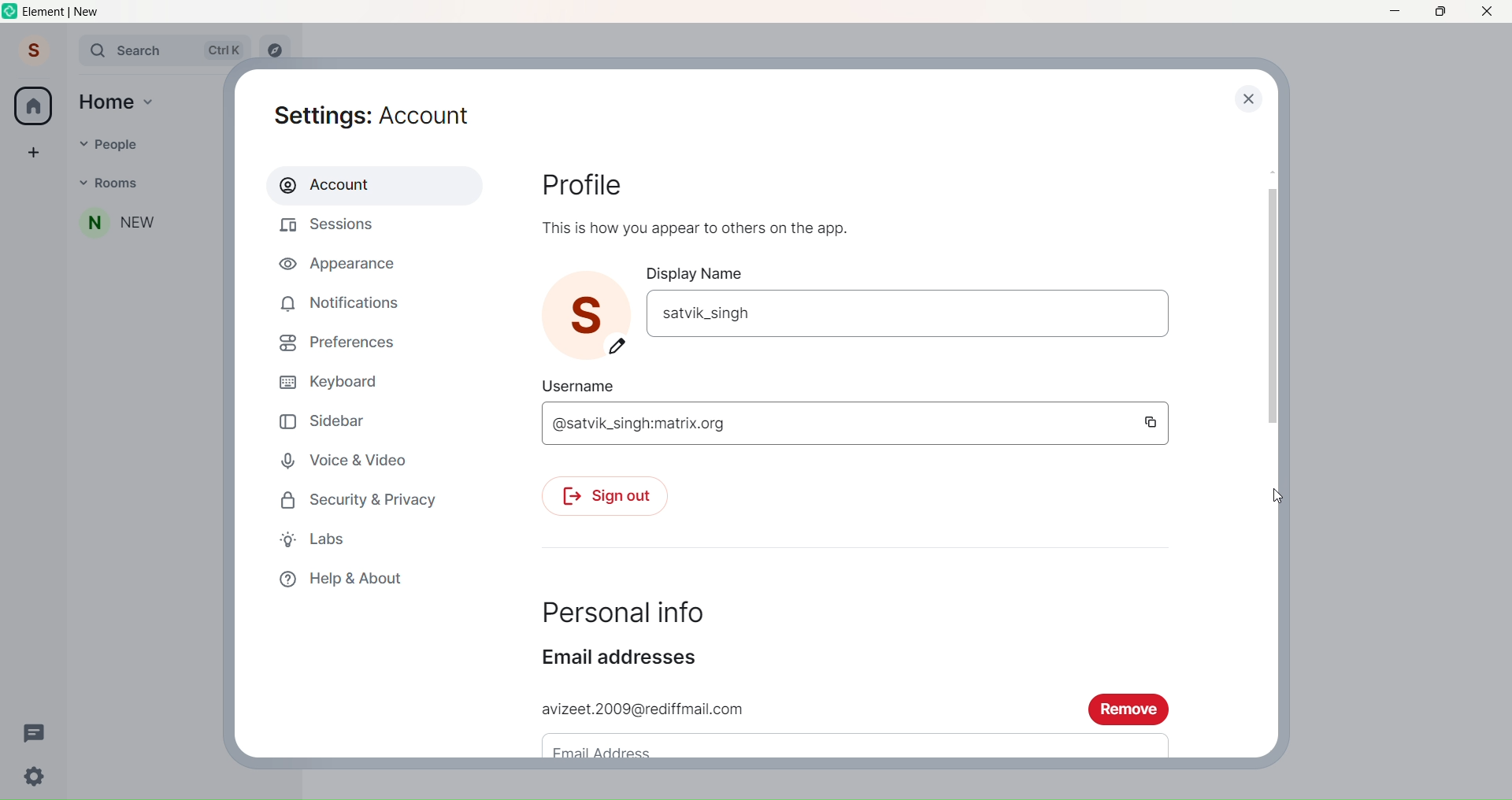 The width and height of the screenshot is (1512, 800). What do you see at coordinates (164, 50) in the screenshot?
I see `Search Bar` at bounding box center [164, 50].